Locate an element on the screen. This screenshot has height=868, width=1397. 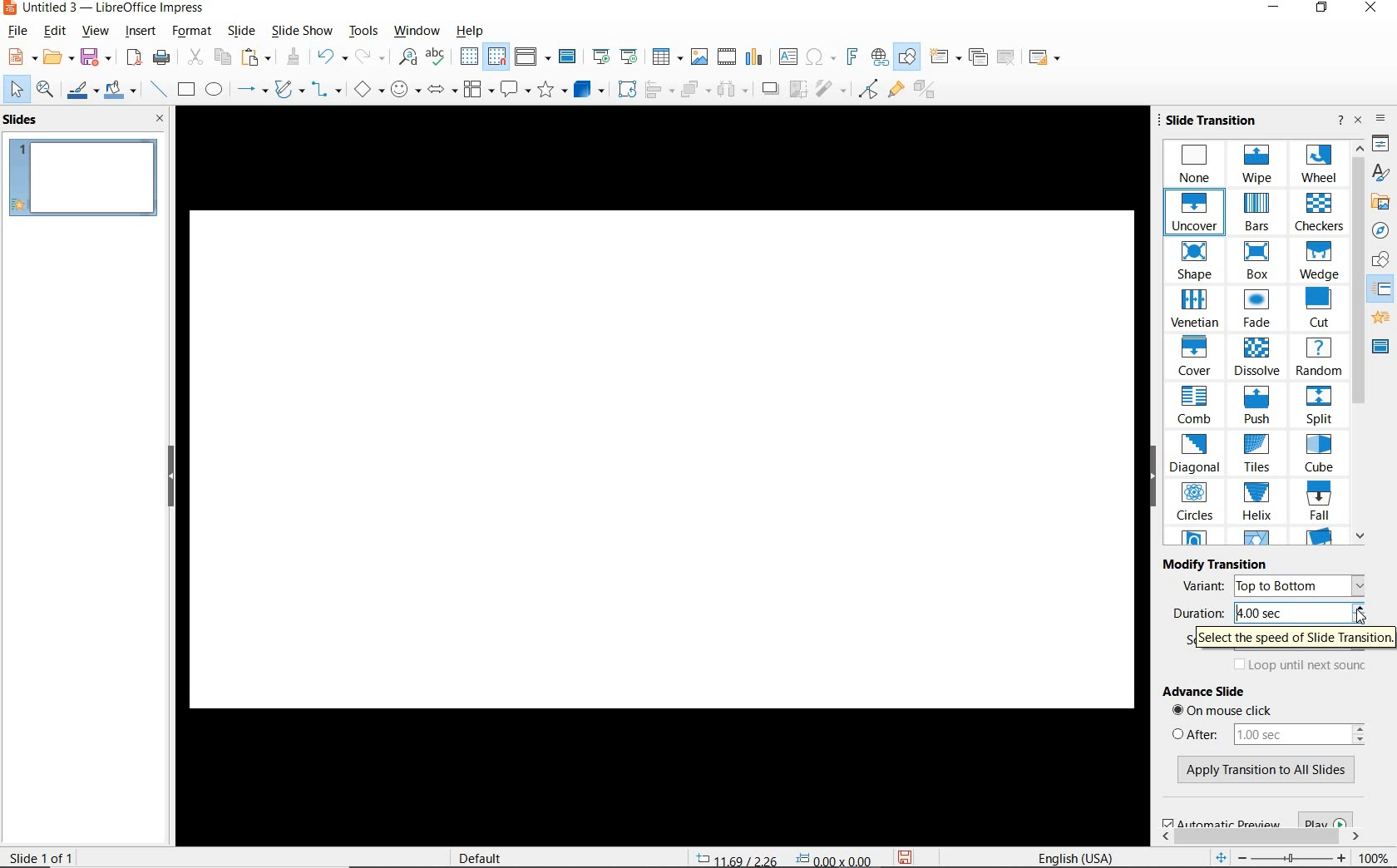
DISSOLVE is located at coordinates (1258, 358).